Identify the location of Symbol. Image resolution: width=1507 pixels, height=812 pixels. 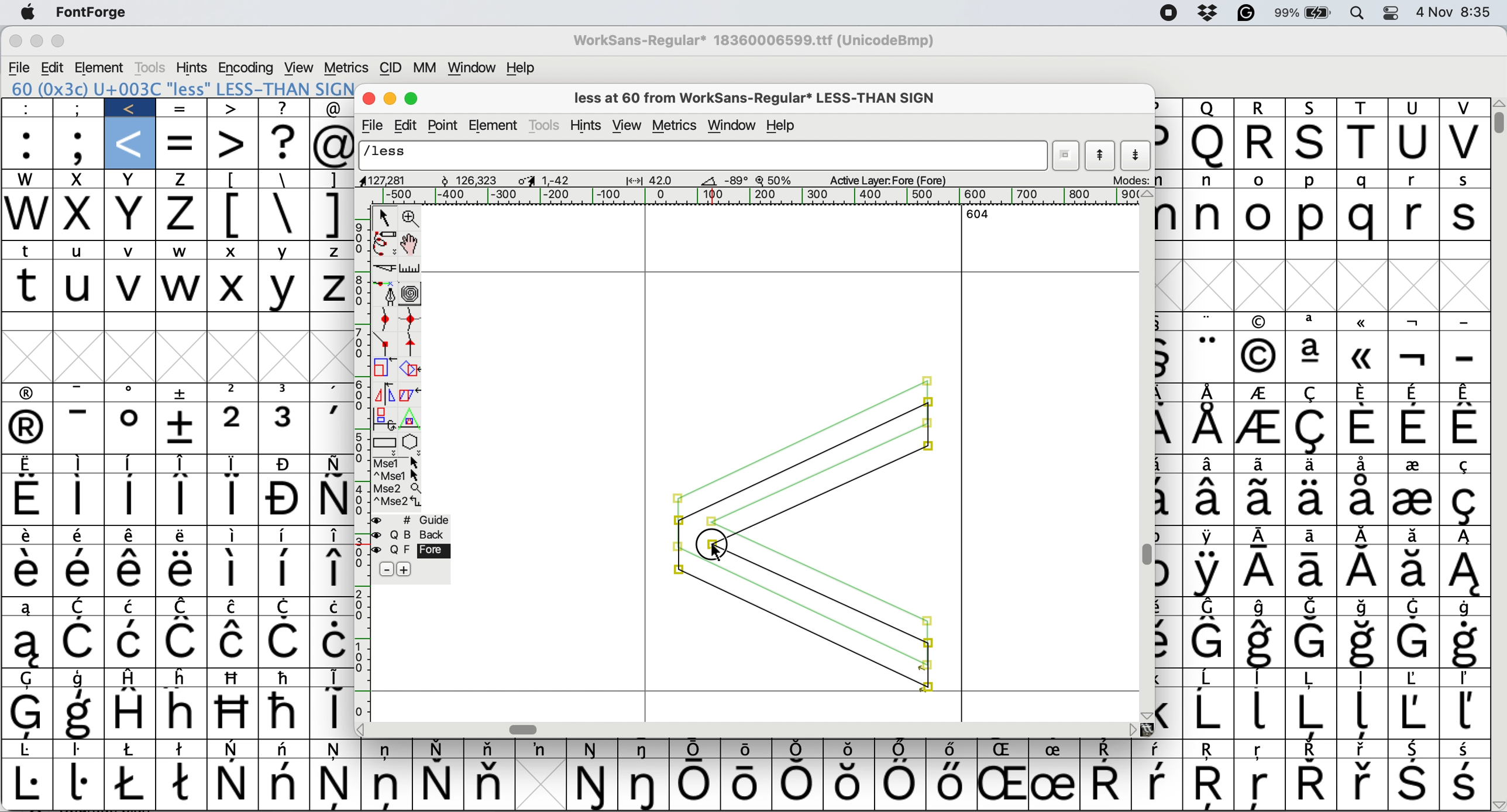
(328, 570).